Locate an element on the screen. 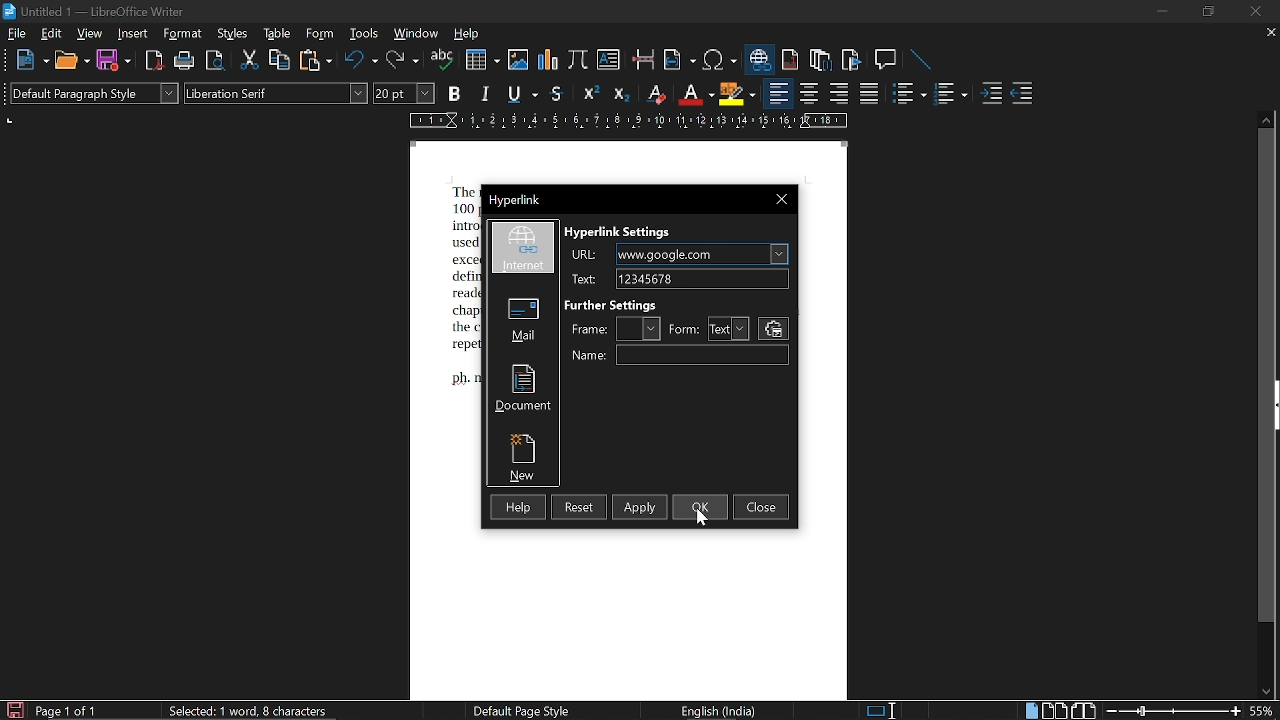 The width and height of the screenshot is (1280, 720). insert table is located at coordinates (481, 60).